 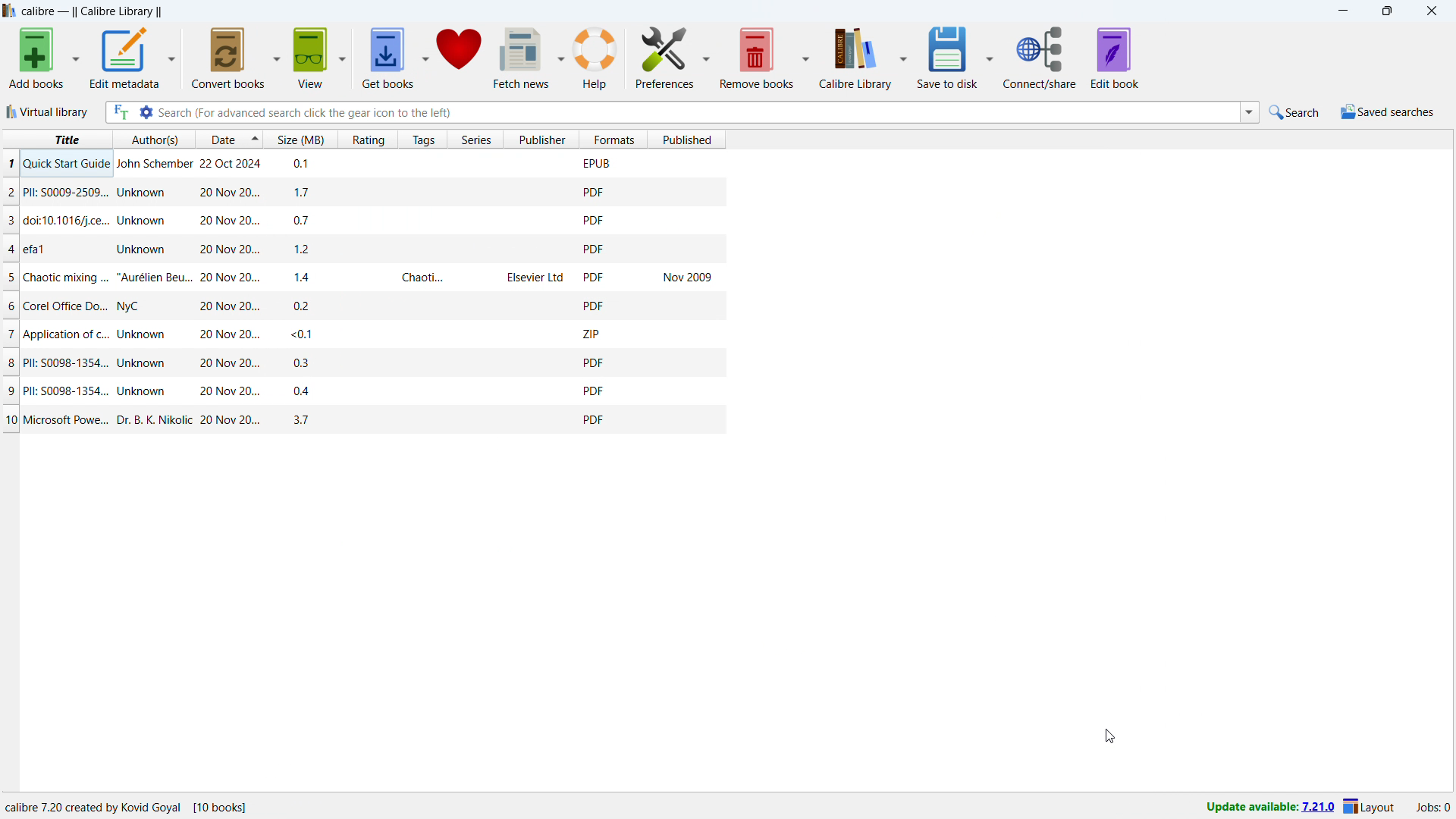 What do you see at coordinates (310, 58) in the screenshot?
I see `view` at bounding box center [310, 58].